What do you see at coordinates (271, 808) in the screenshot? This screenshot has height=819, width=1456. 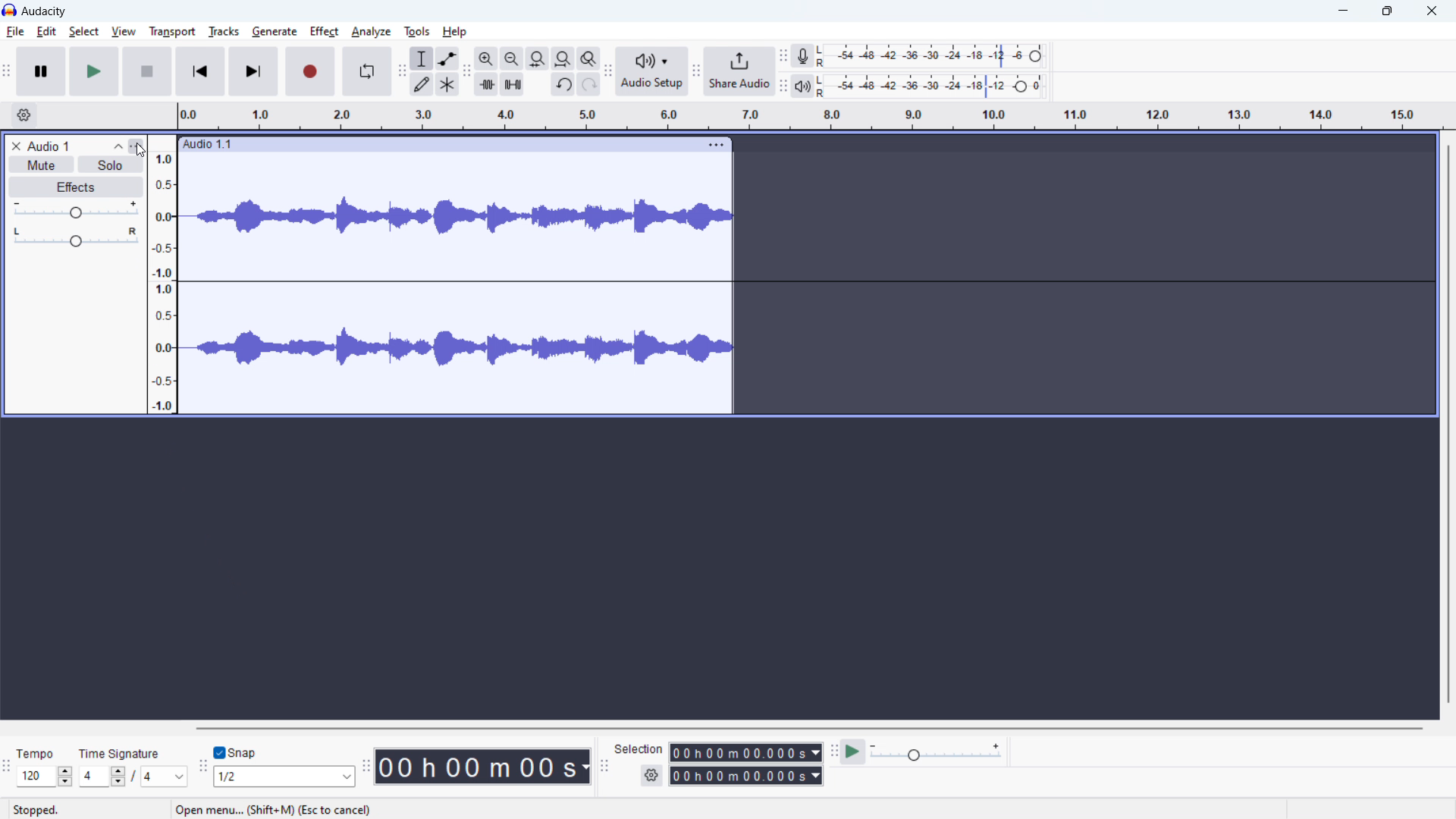 I see `open menu.. (shift + M) (Esc to cancel)` at bounding box center [271, 808].